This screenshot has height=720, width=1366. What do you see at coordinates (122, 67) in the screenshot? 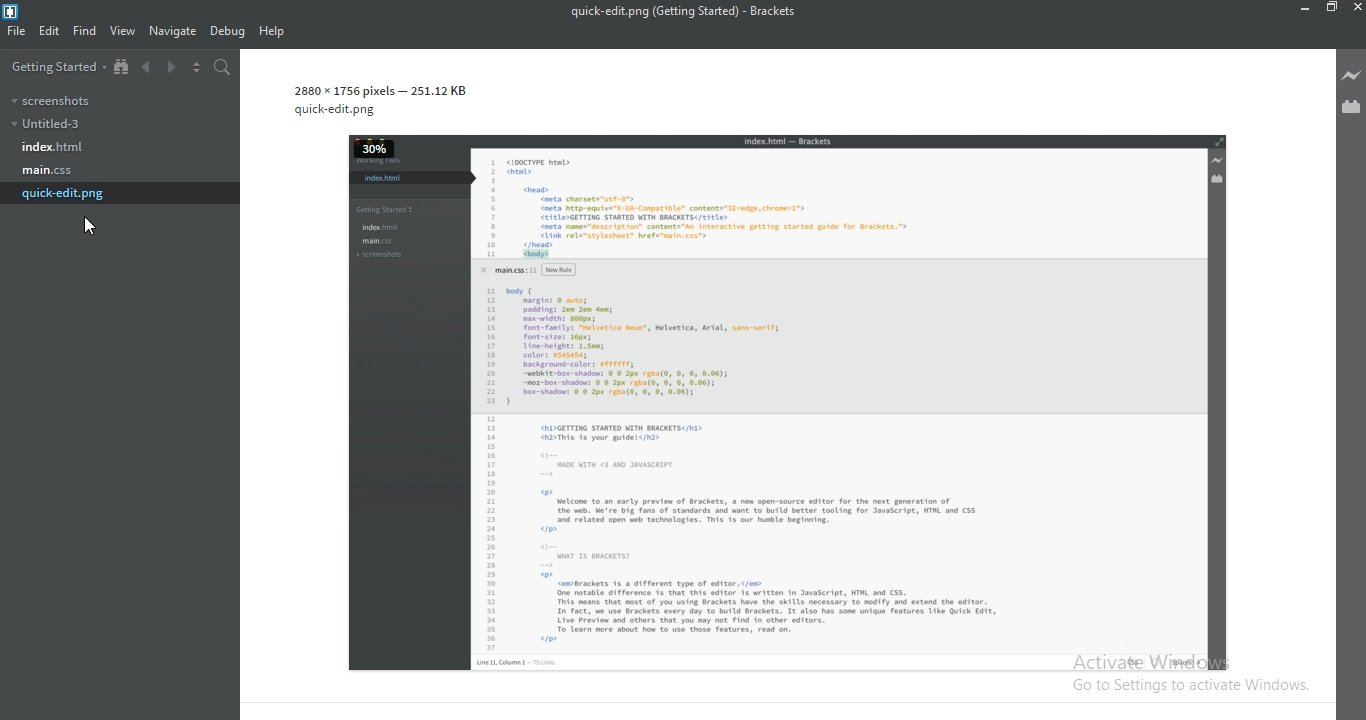
I see `show in file tree` at bounding box center [122, 67].